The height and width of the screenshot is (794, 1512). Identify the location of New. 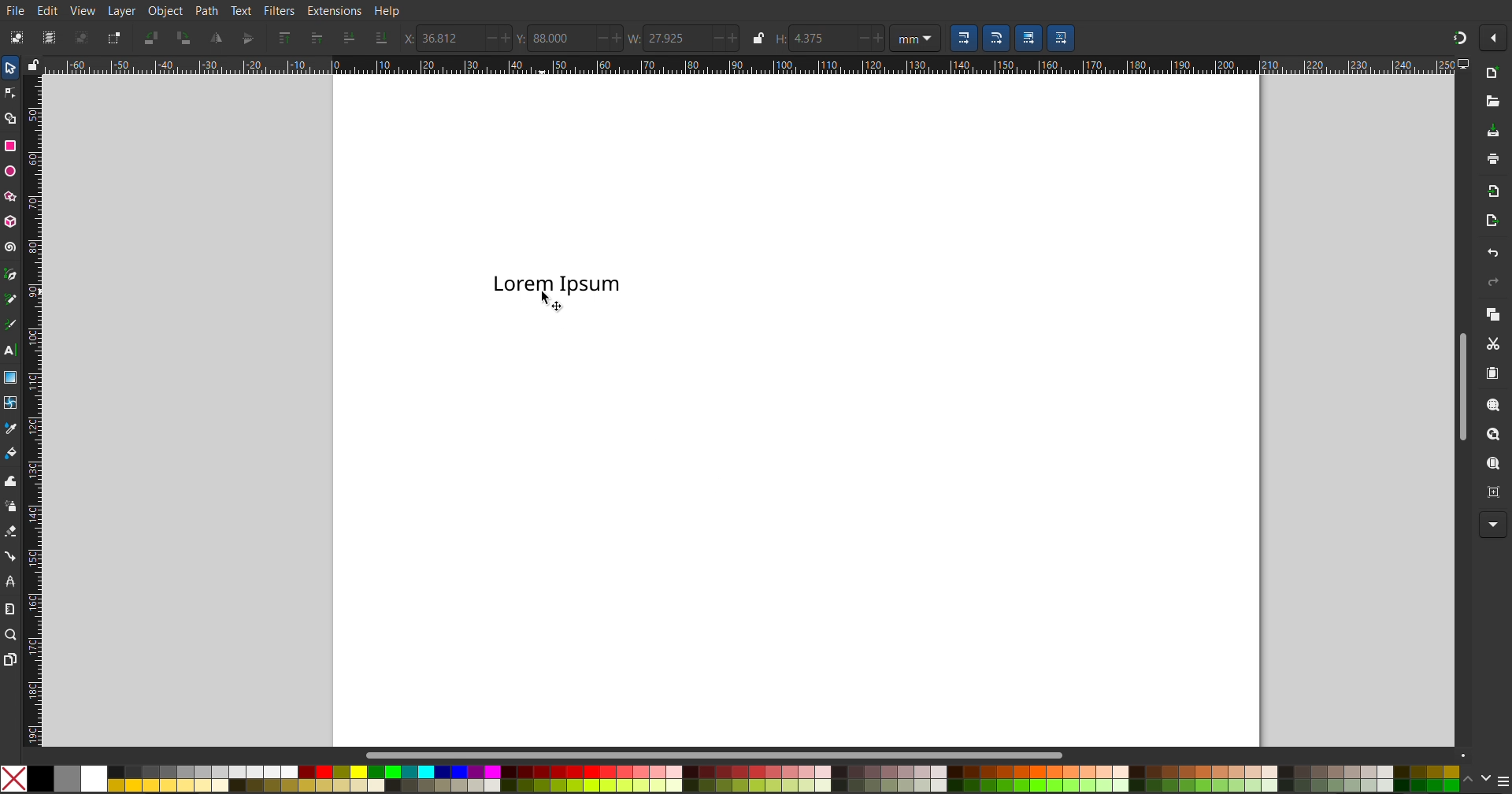
(1492, 74).